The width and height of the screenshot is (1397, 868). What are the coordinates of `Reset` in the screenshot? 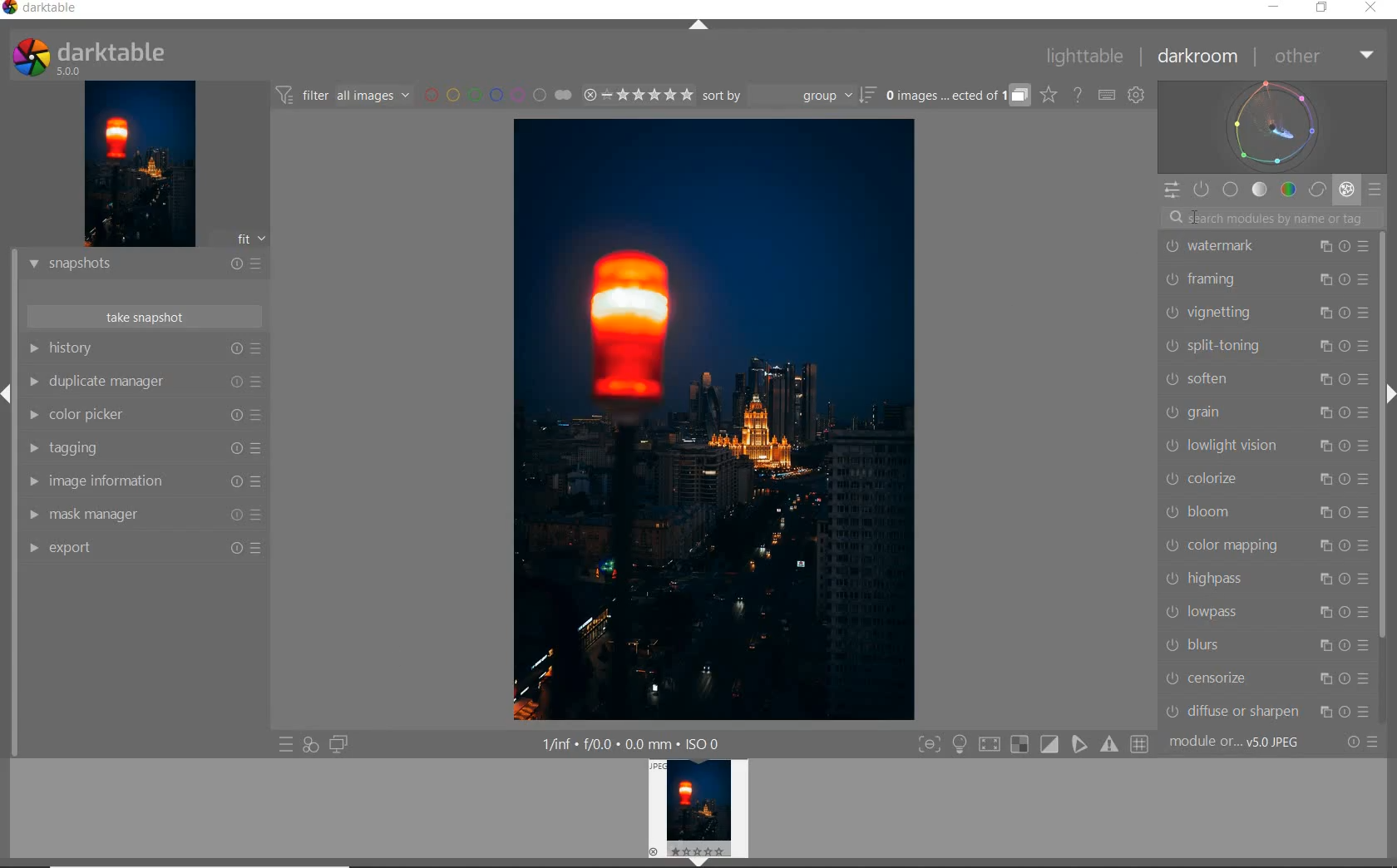 It's located at (1345, 579).